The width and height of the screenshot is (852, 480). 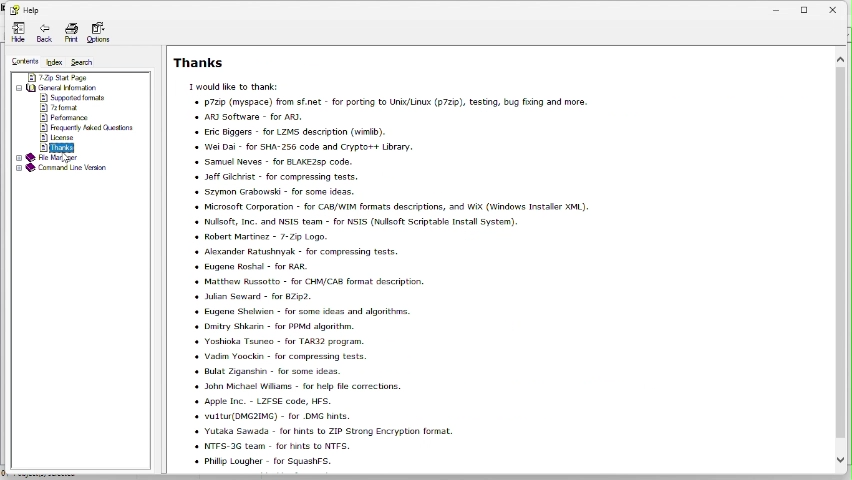 What do you see at coordinates (52, 62) in the screenshot?
I see `Index ` at bounding box center [52, 62].